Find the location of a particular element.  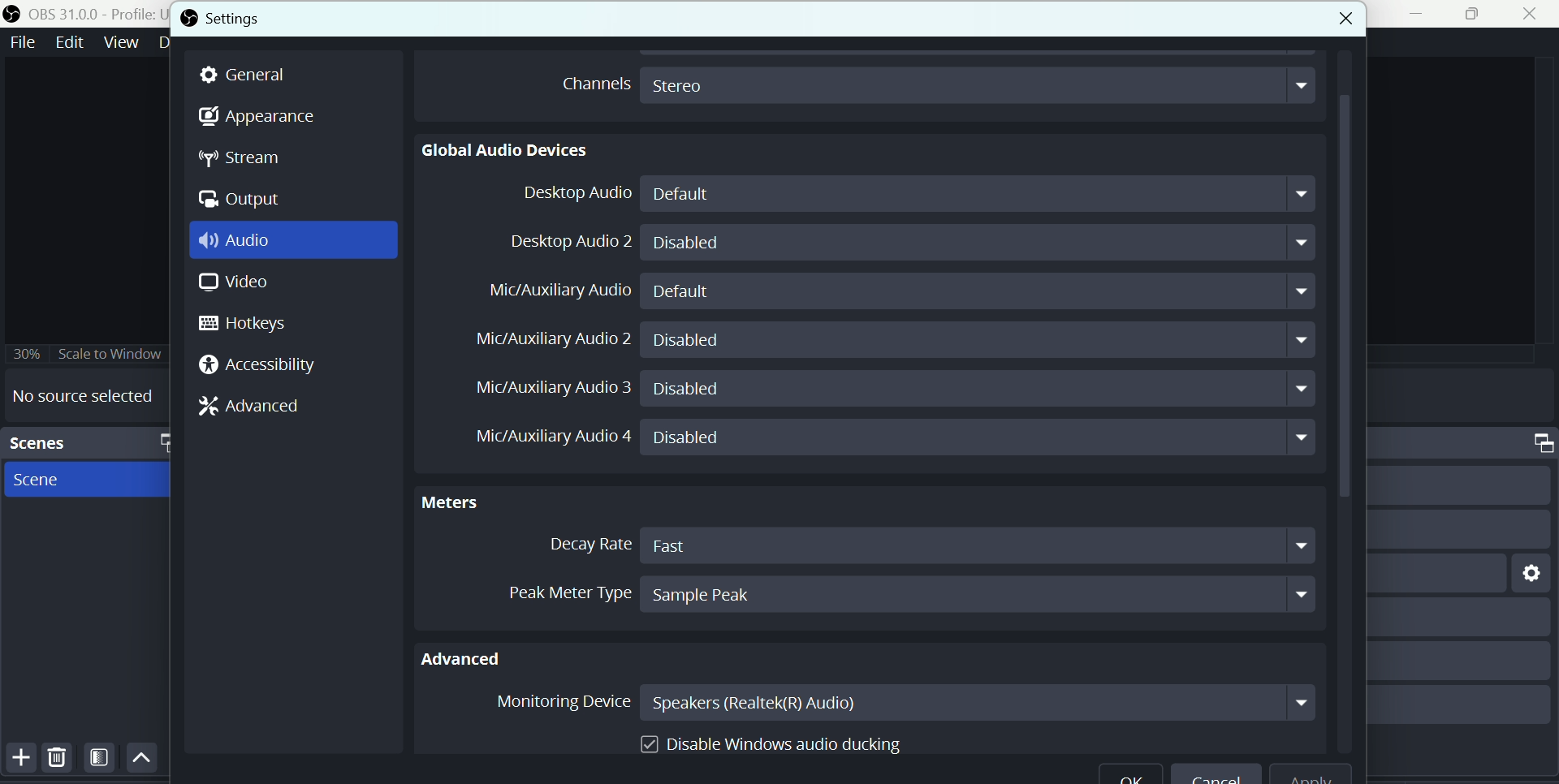

Filter is located at coordinates (101, 760).